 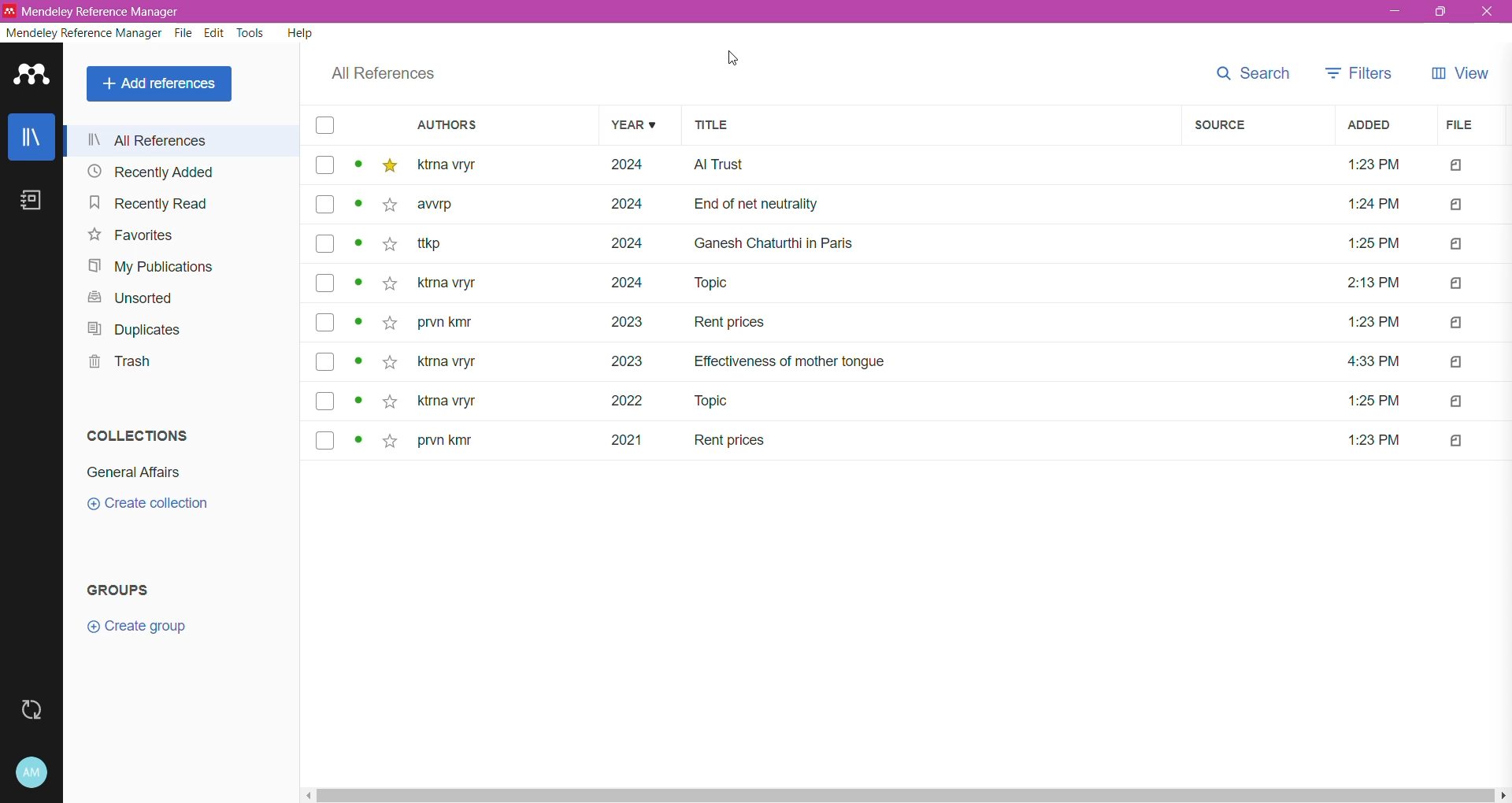 What do you see at coordinates (133, 299) in the screenshot?
I see `Unsorted` at bounding box center [133, 299].